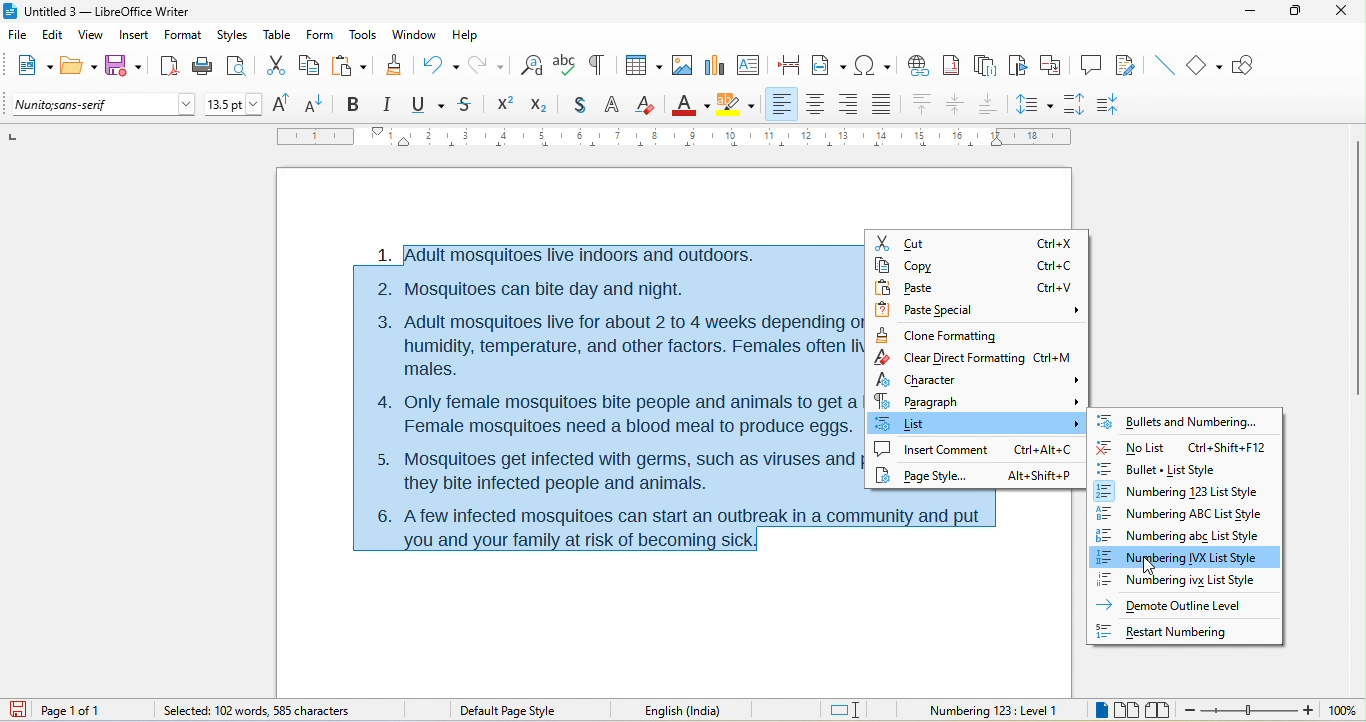  I want to click on character, so click(974, 379).